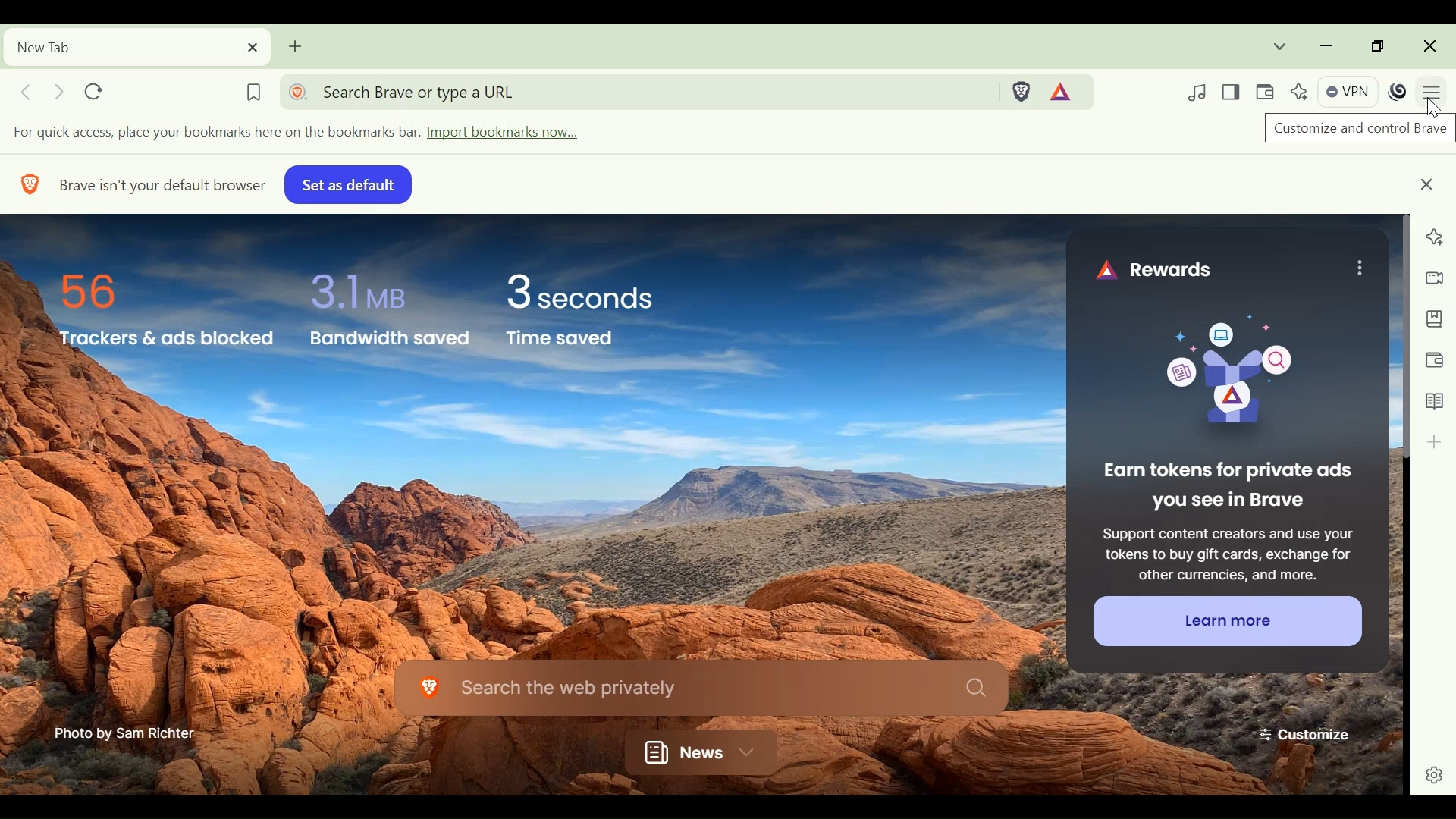  What do you see at coordinates (162, 182) in the screenshot?
I see `Brave isn't your default browser` at bounding box center [162, 182].